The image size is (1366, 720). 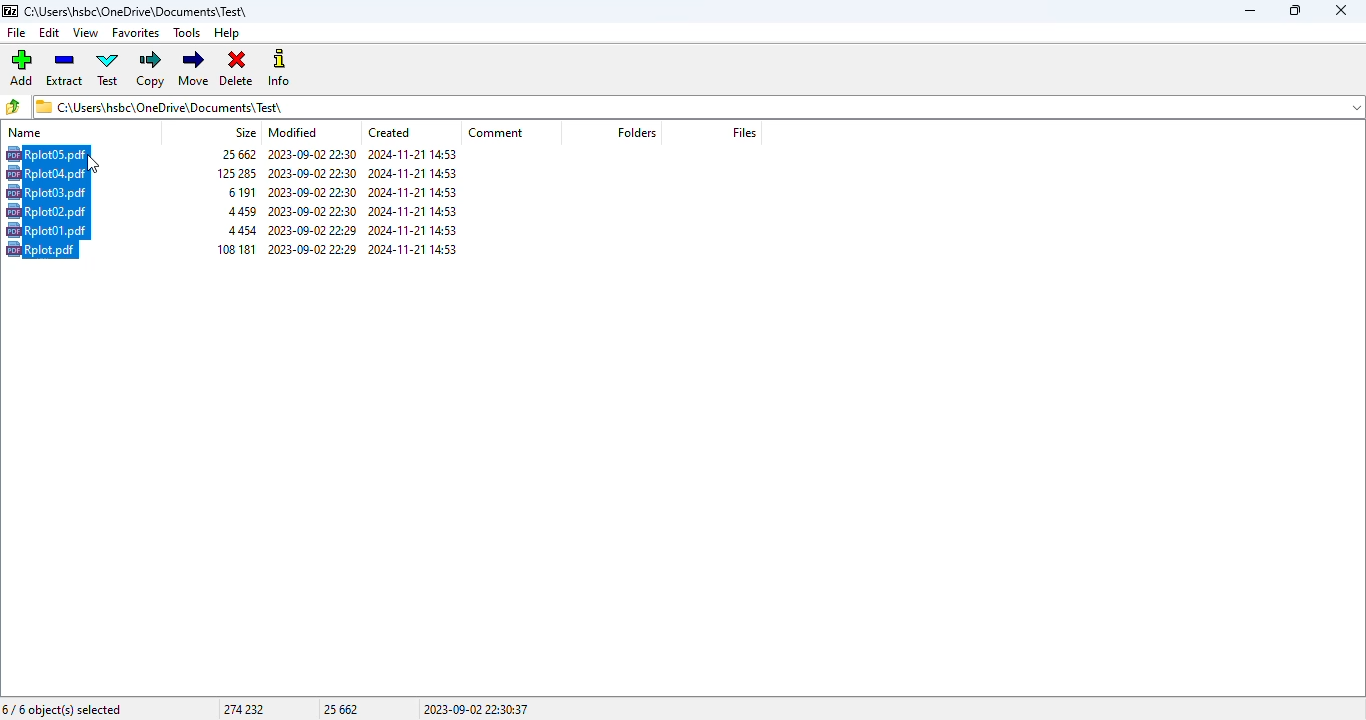 I want to click on rplot02, so click(x=46, y=211).